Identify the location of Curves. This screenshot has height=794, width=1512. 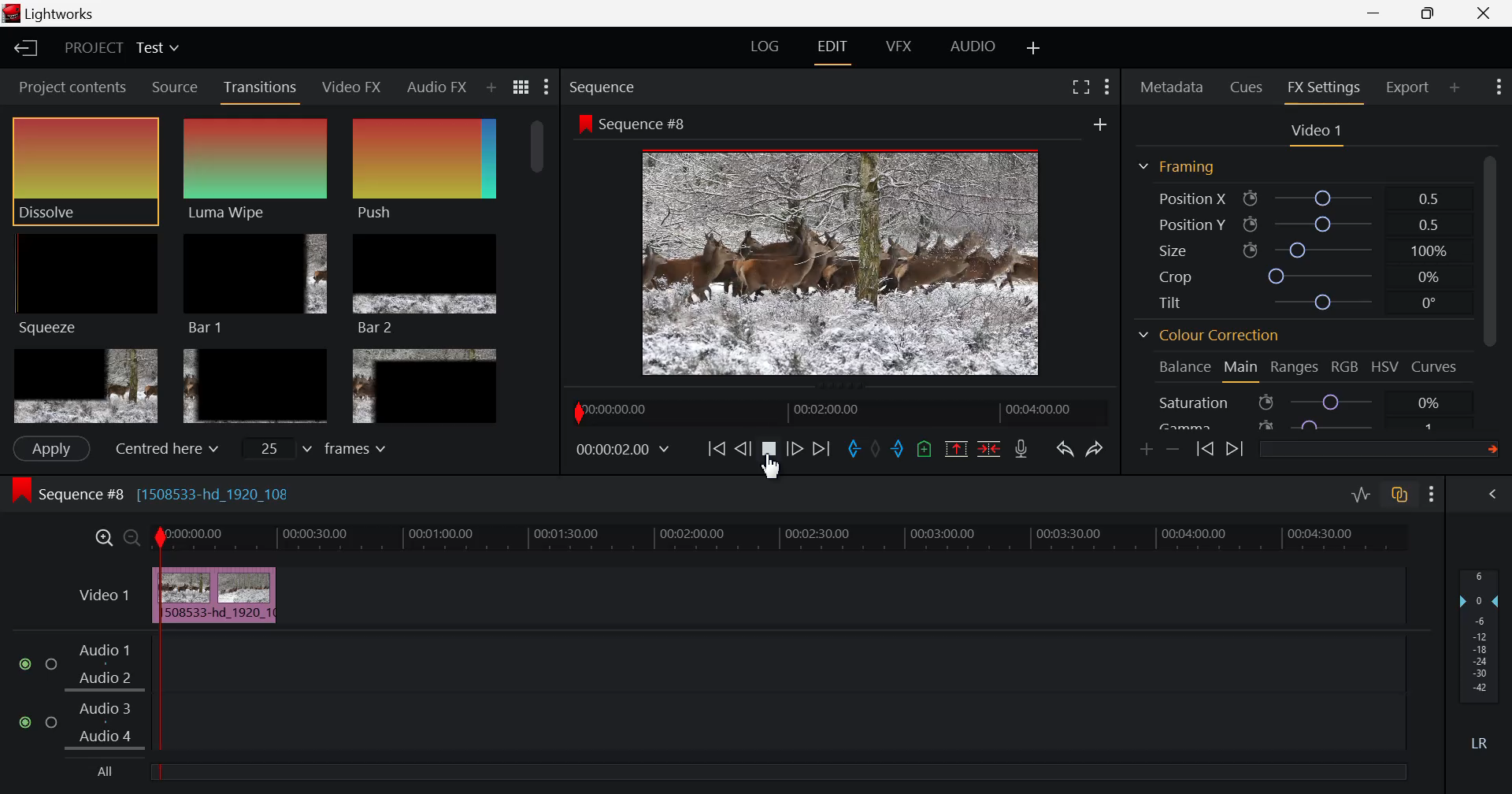
(1436, 367).